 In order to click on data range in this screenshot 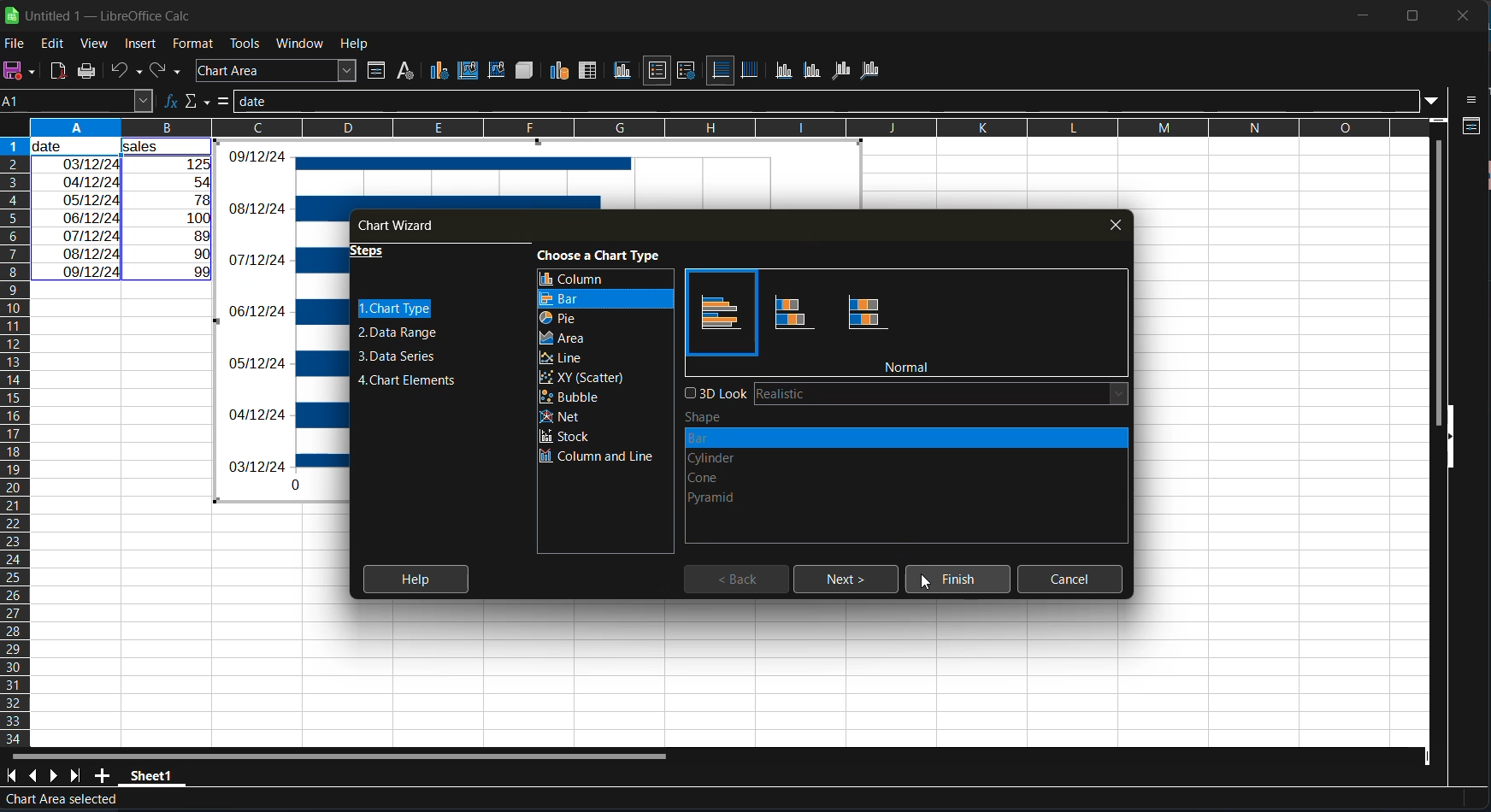, I will do `click(561, 70)`.